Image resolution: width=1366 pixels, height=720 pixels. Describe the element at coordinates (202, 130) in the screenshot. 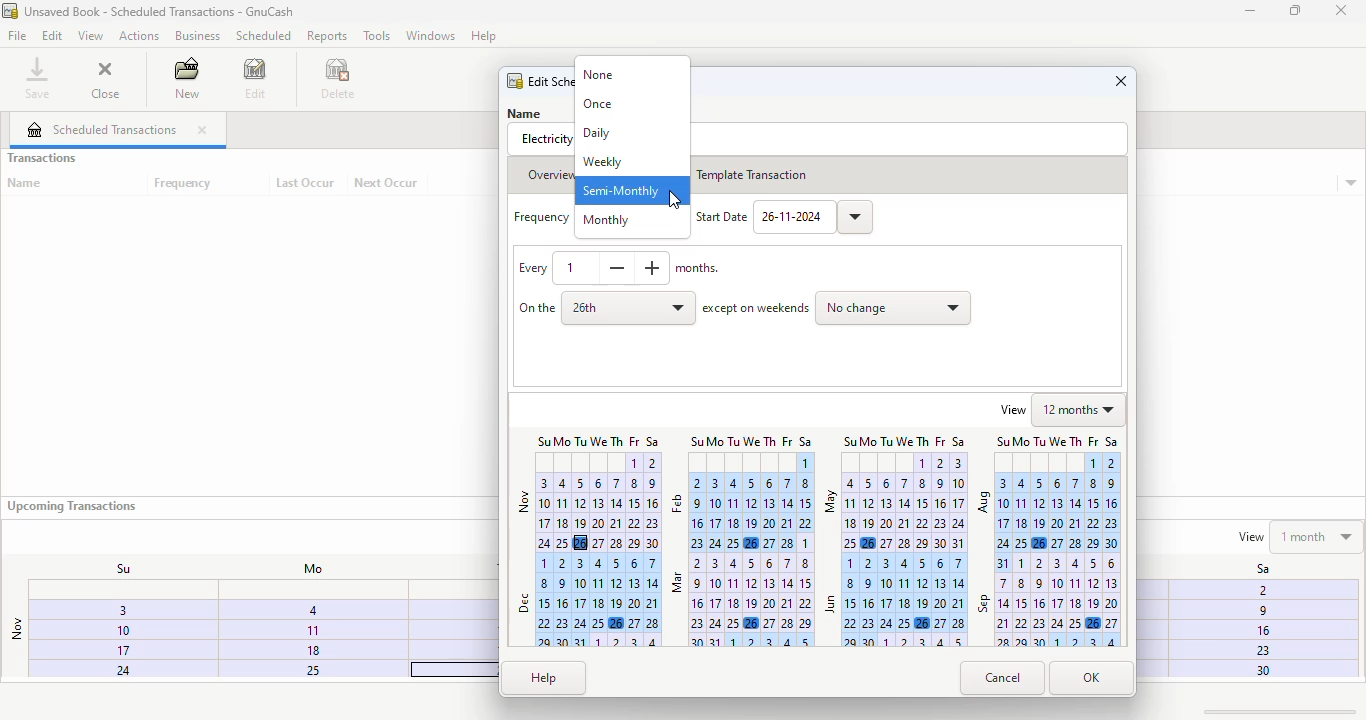

I see `close` at that location.